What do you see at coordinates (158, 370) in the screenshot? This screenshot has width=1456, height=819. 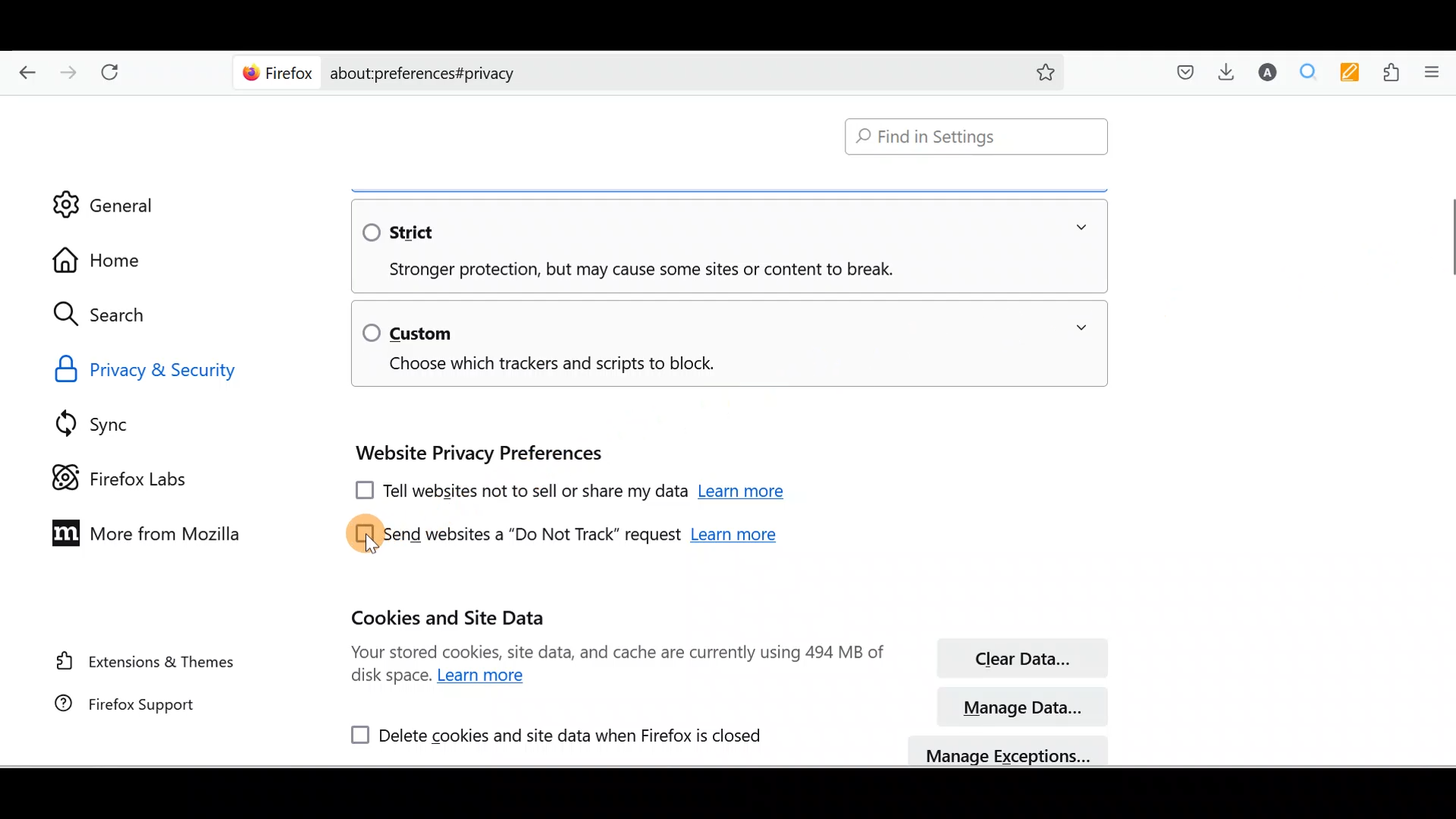 I see `Privacy & Security` at bounding box center [158, 370].